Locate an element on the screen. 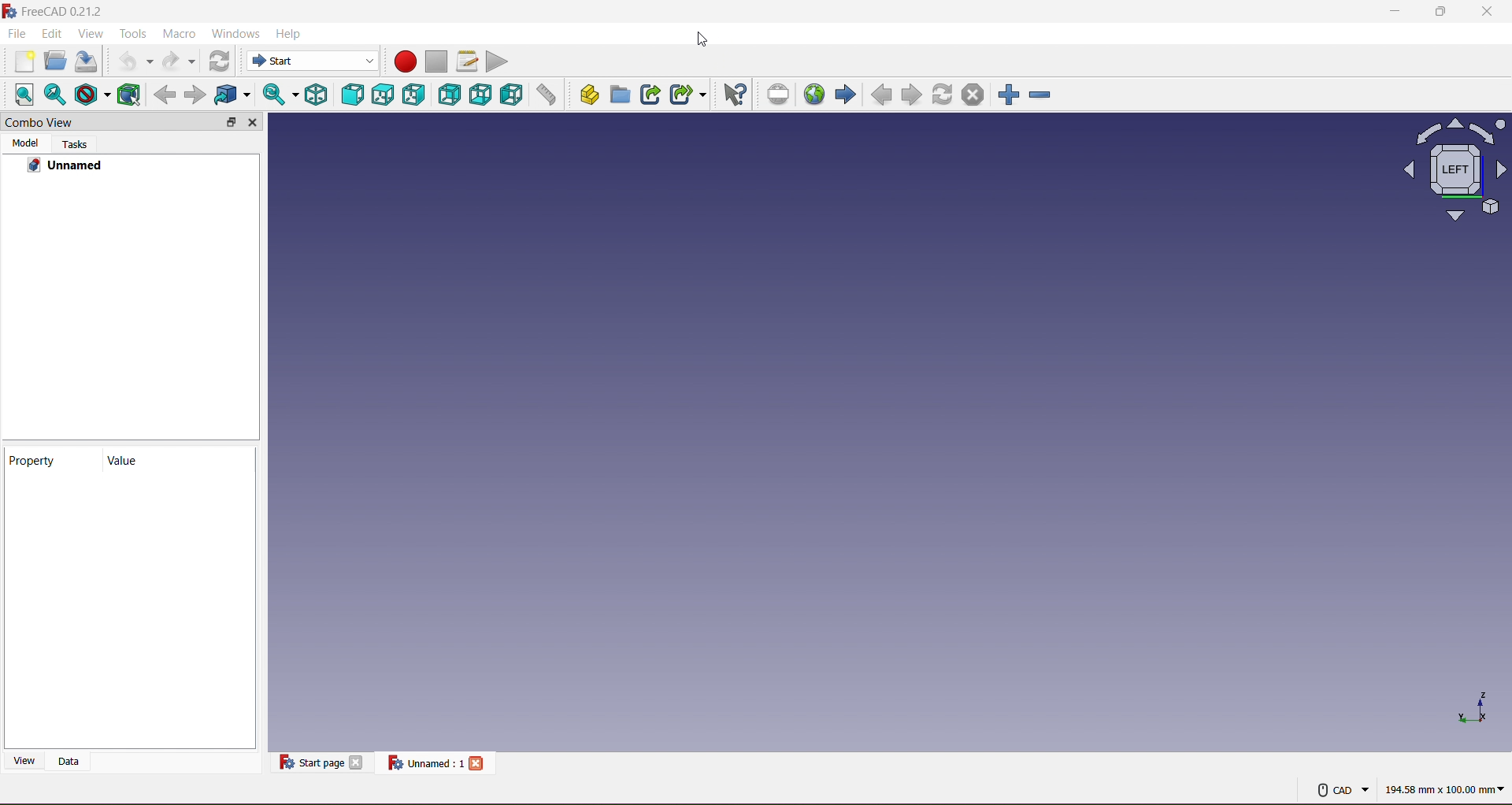 This screenshot has height=805, width=1512. Macro is located at coordinates (179, 32).